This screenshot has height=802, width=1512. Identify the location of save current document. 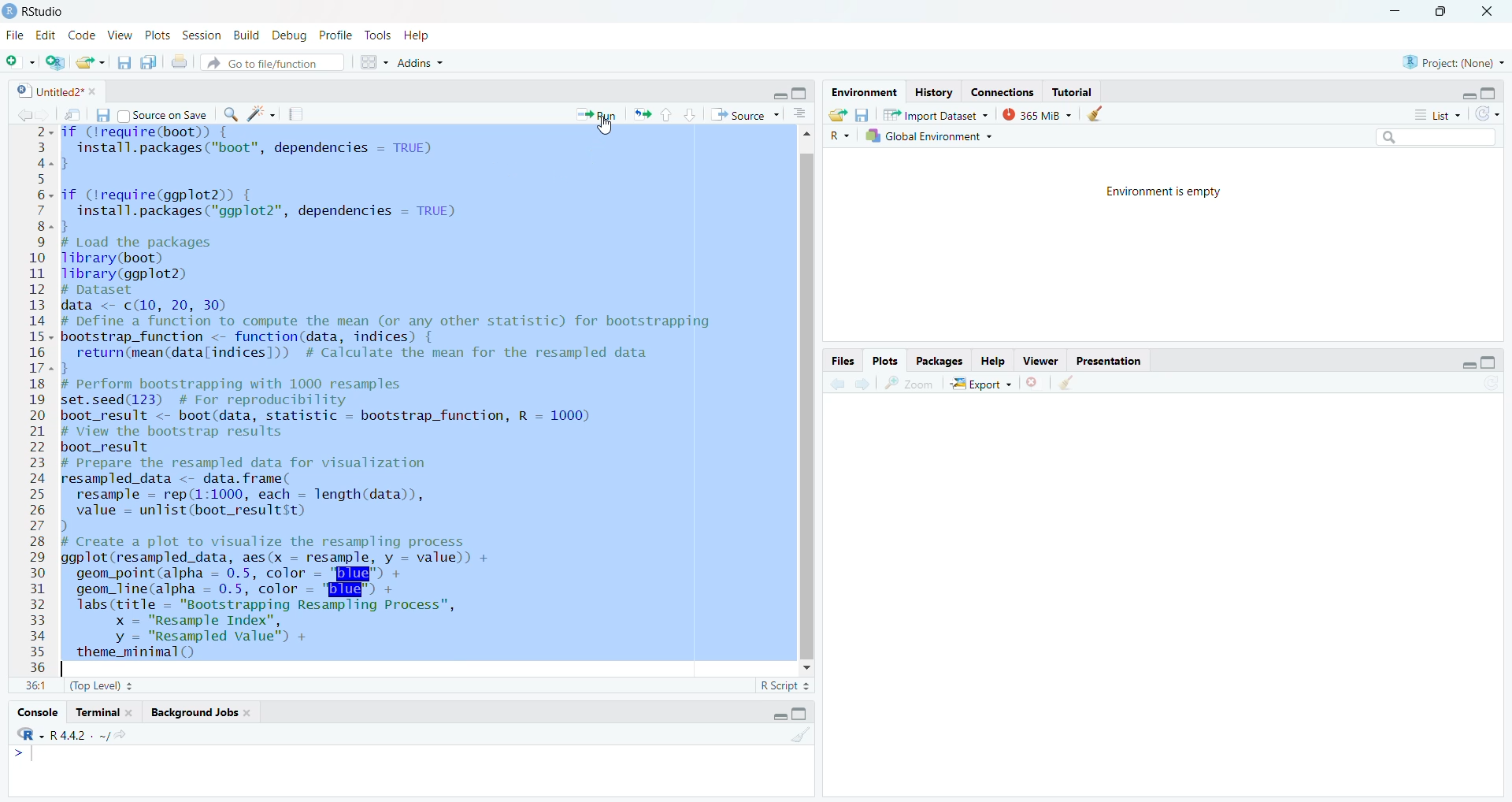
(100, 114).